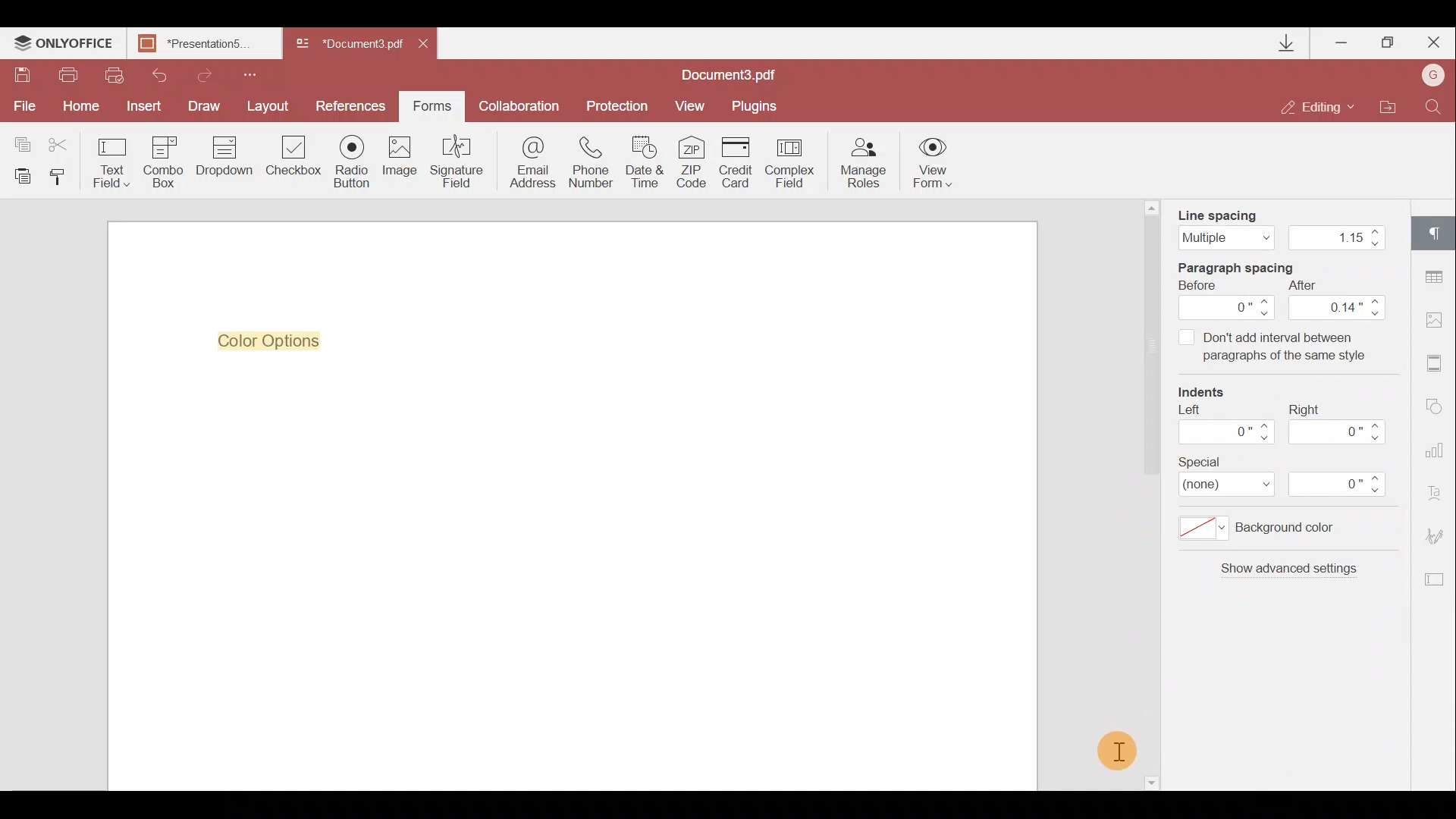 This screenshot has width=1456, height=819. Describe the element at coordinates (432, 106) in the screenshot. I see `Forms` at that location.